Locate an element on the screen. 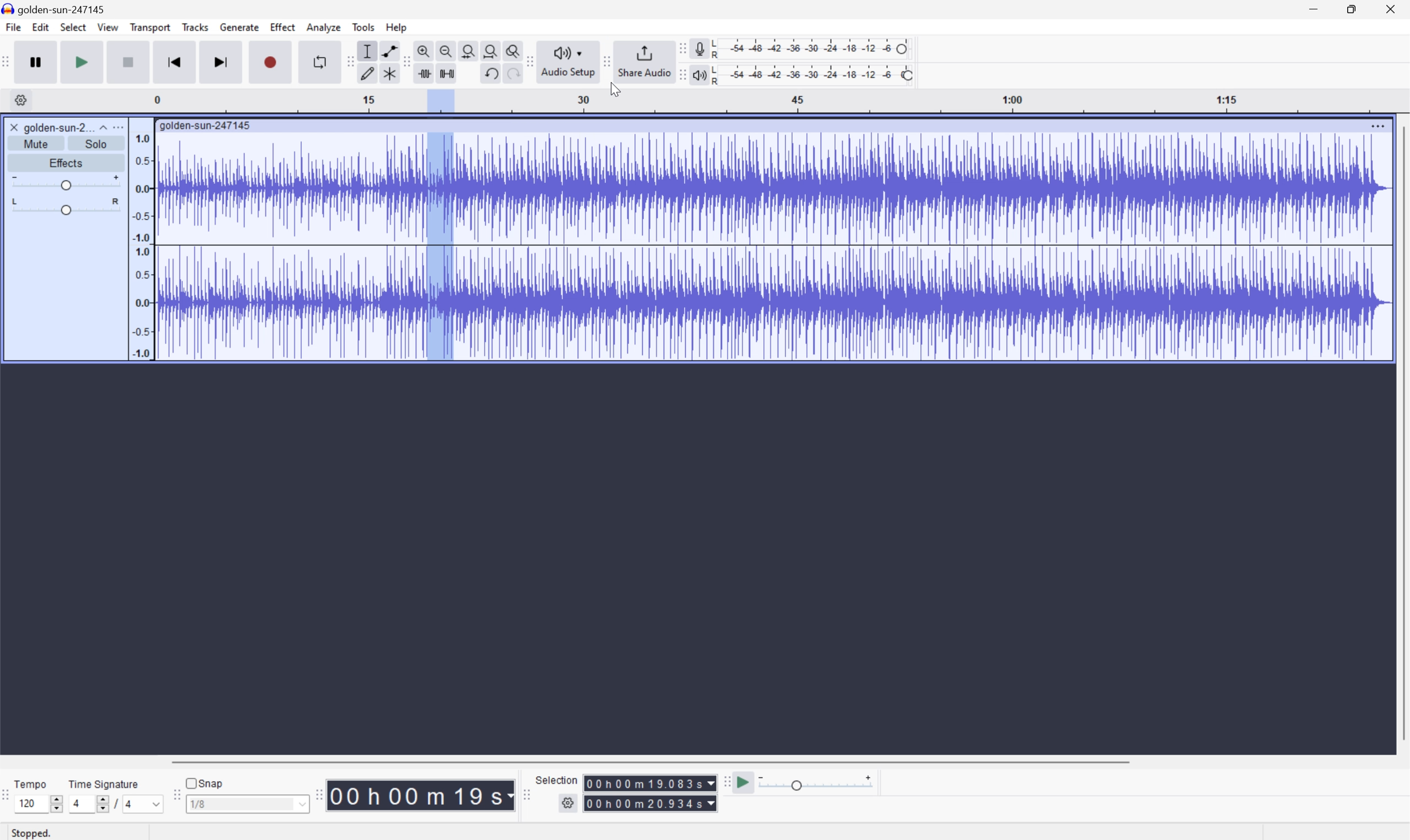  Audacity selection toolbar is located at coordinates (526, 798).